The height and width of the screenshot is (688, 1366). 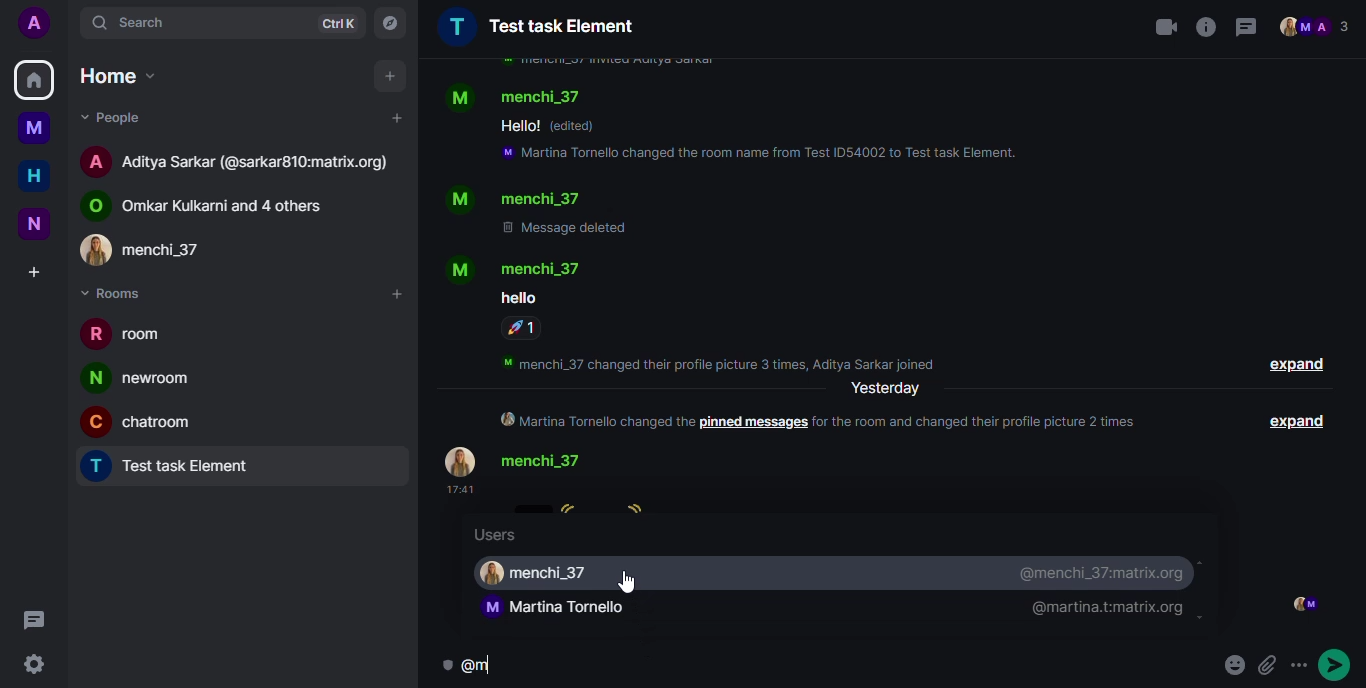 What do you see at coordinates (240, 160) in the screenshot?
I see `contact` at bounding box center [240, 160].